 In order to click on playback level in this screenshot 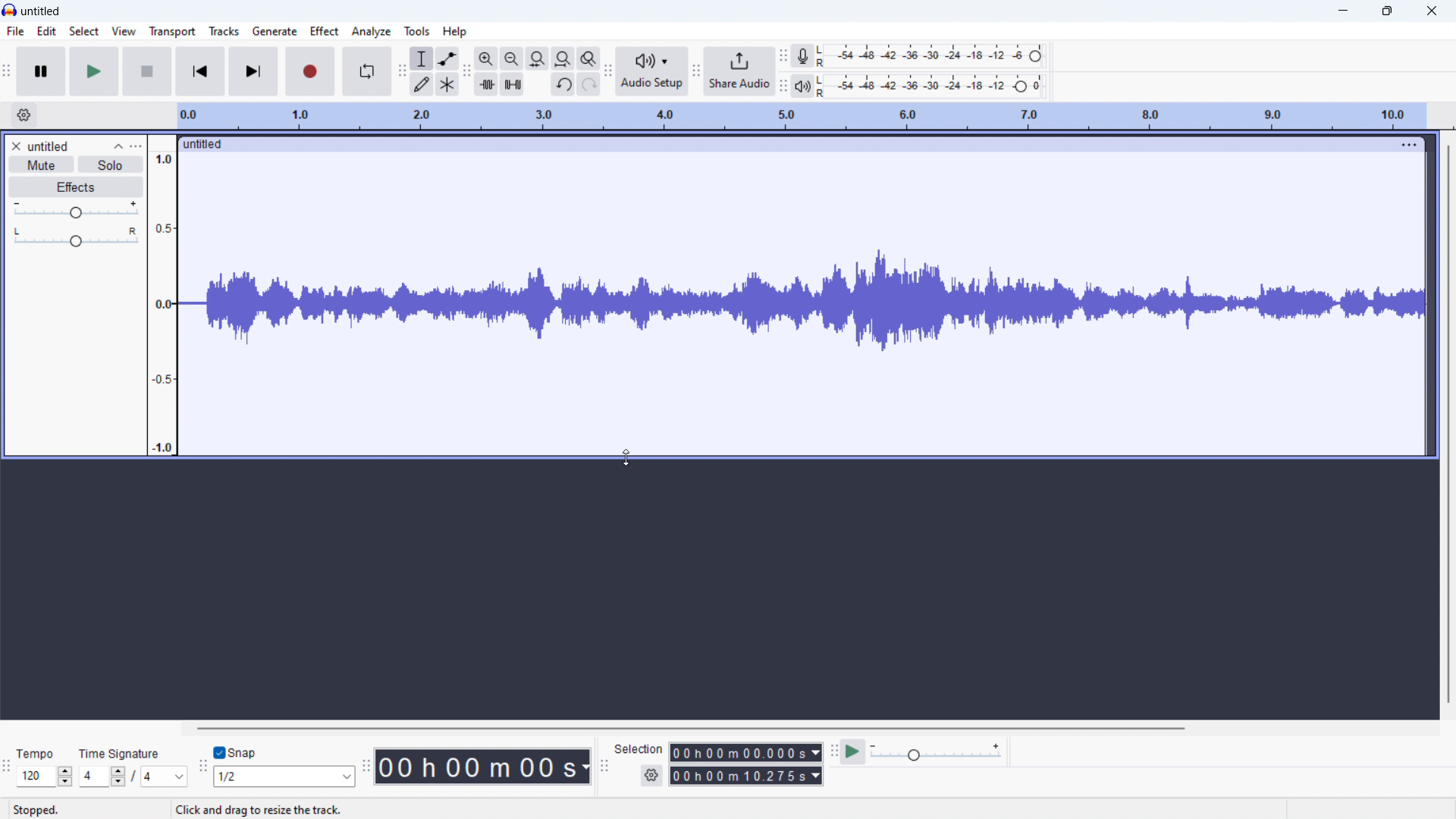, I will do `click(934, 86)`.